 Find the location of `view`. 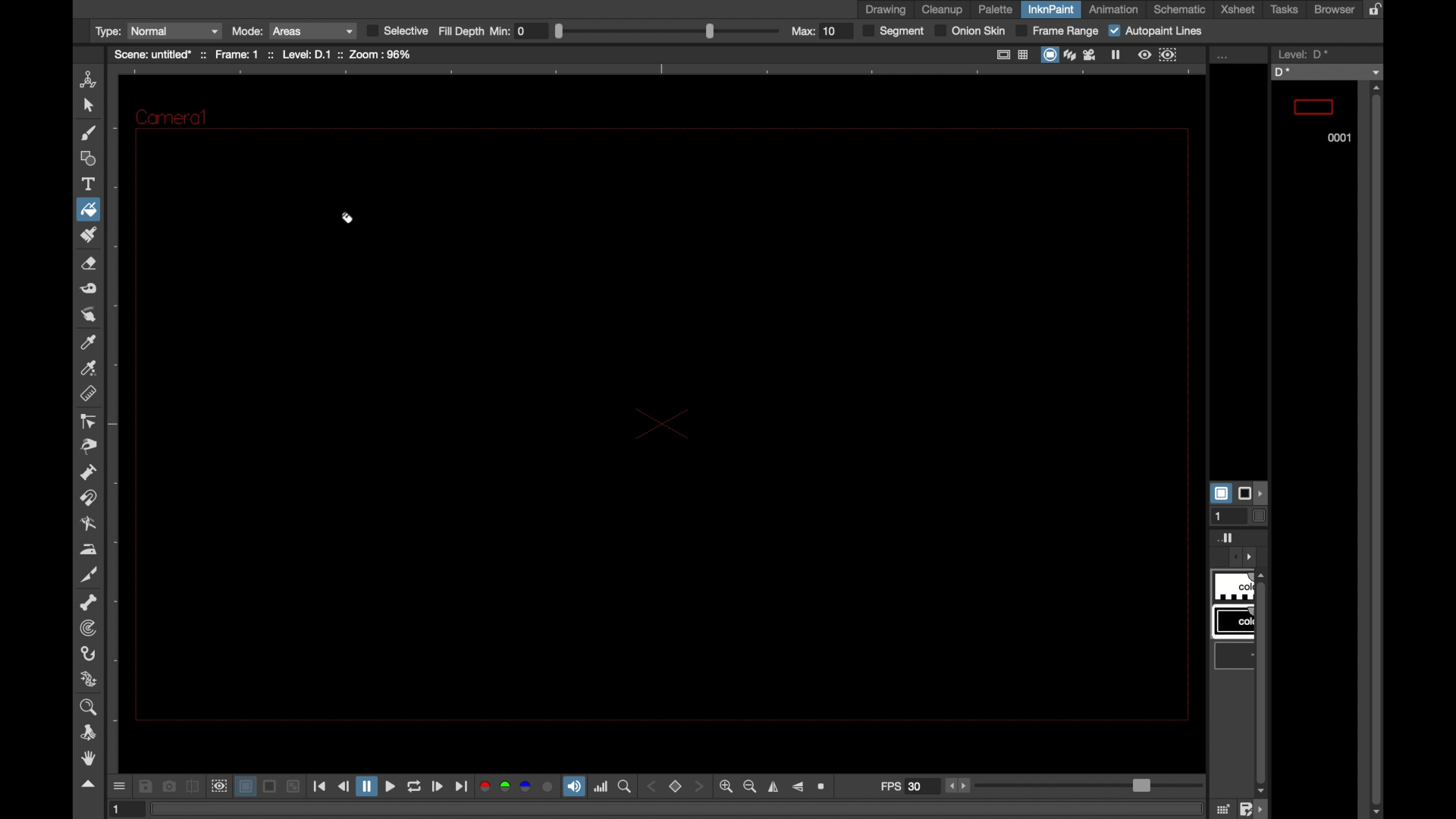

view is located at coordinates (1146, 55).